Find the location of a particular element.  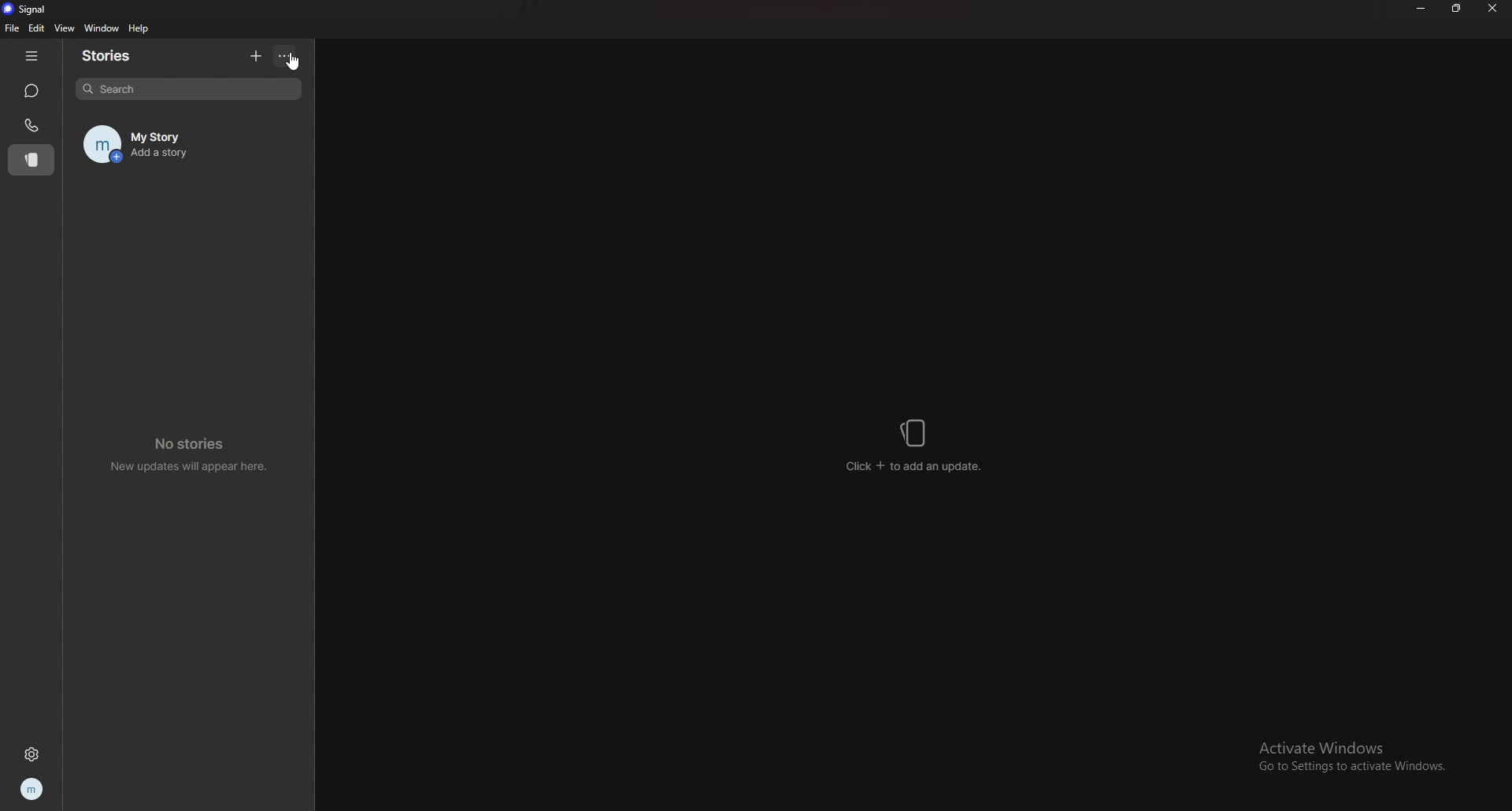

No stories is located at coordinates (195, 443).